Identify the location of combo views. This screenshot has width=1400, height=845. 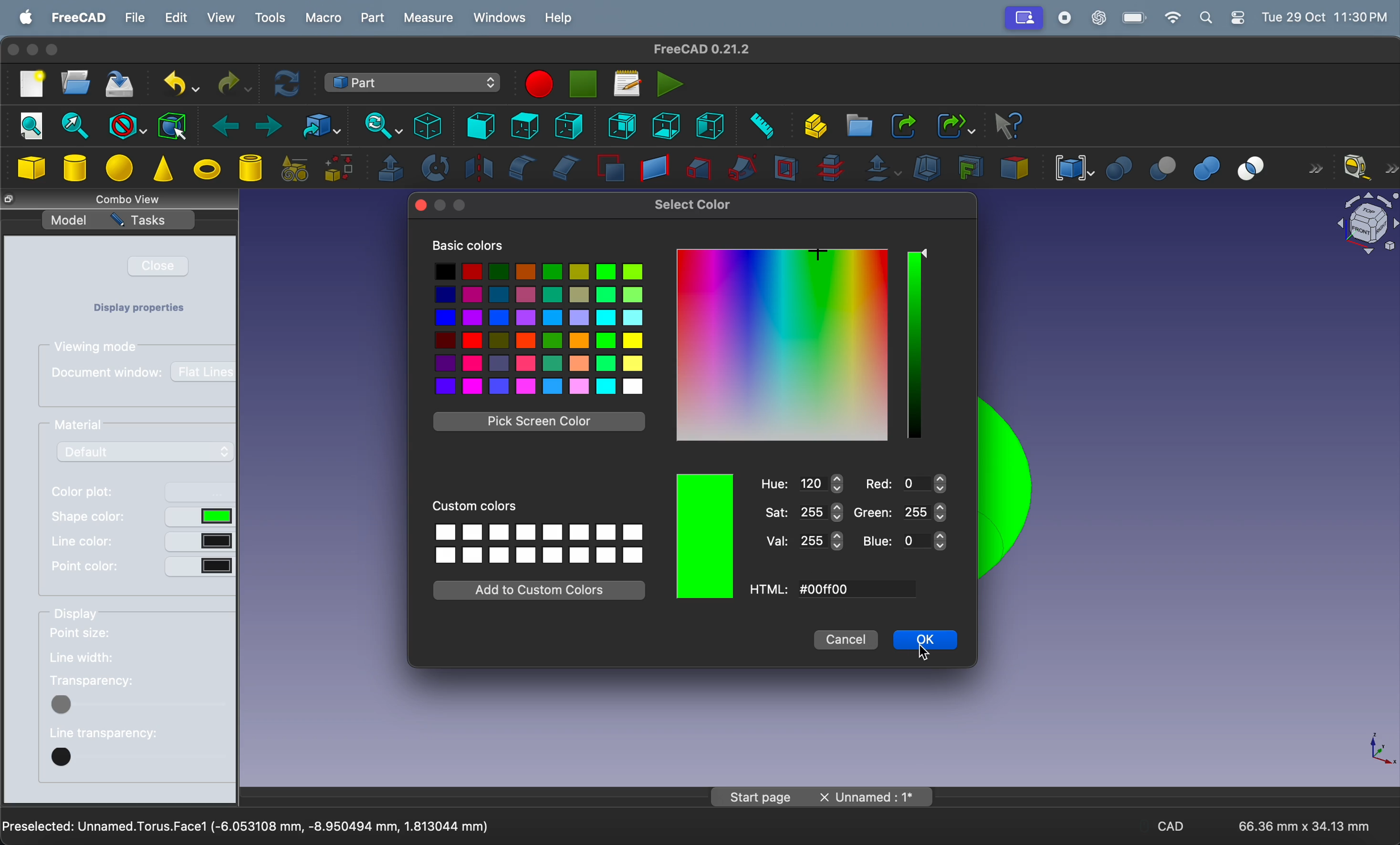
(143, 199).